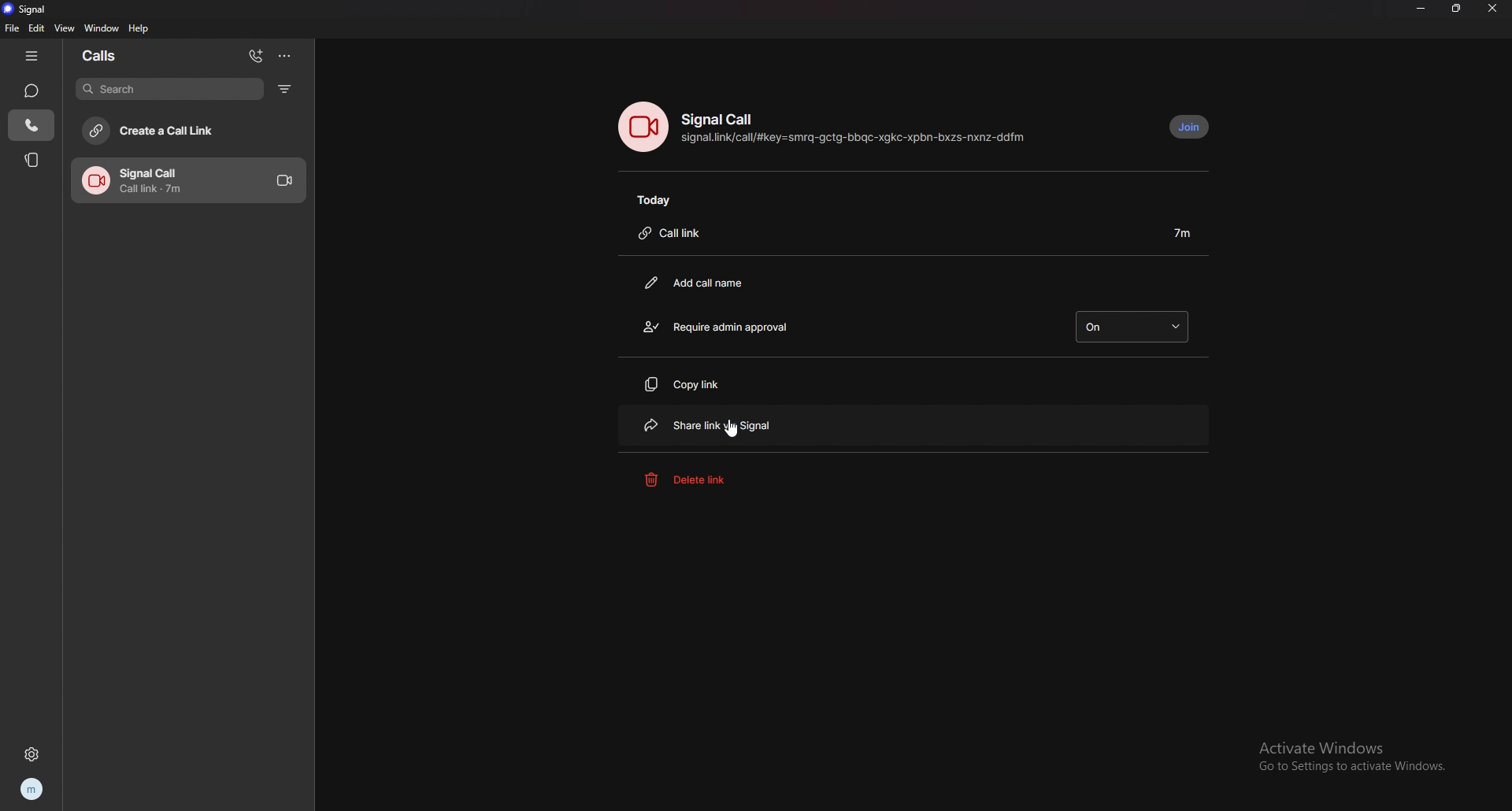 This screenshot has height=811, width=1512. I want to click on hide tab, so click(35, 56).